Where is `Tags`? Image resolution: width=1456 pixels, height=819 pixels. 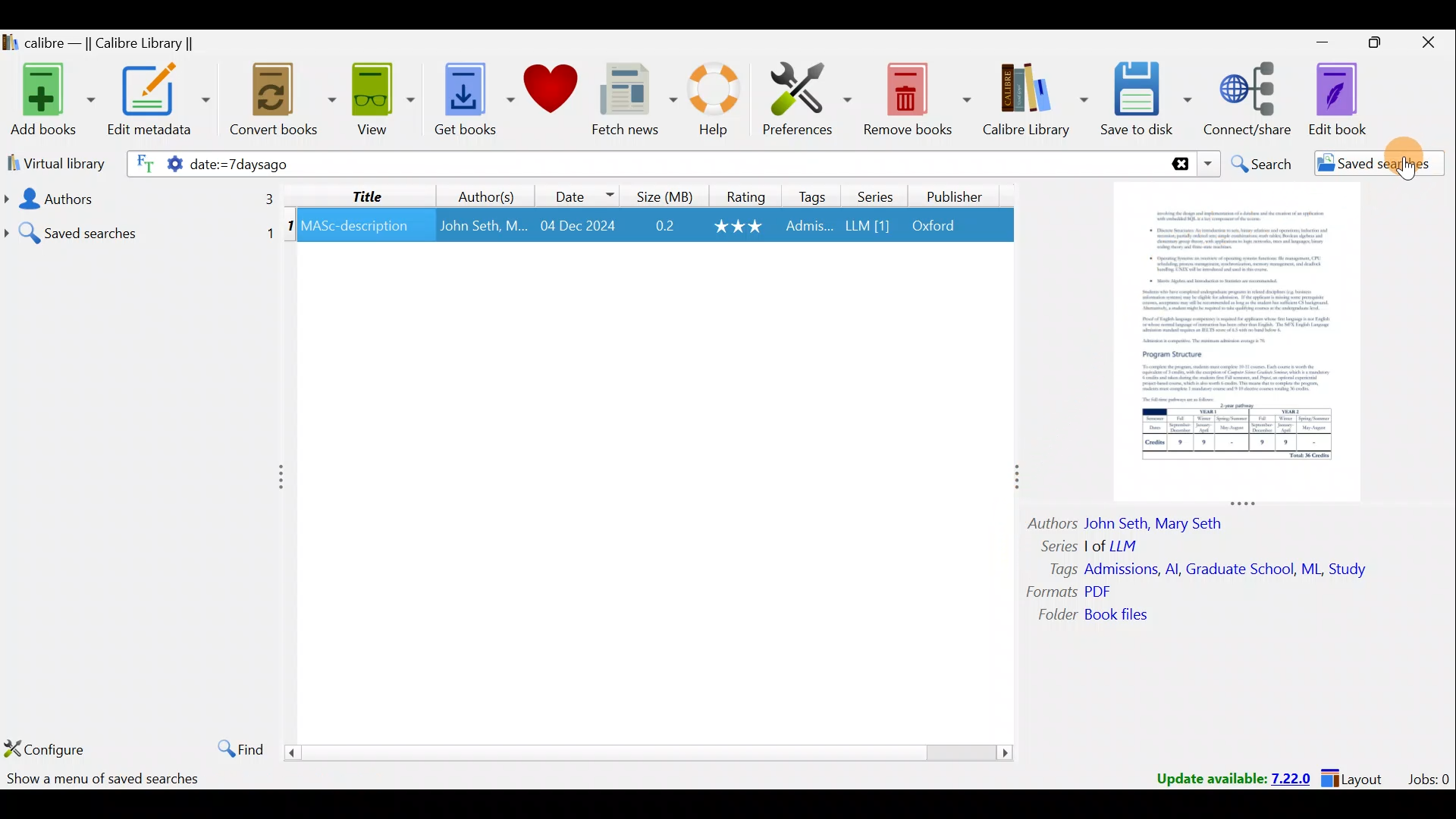 Tags is located at coordinates (813, 196).